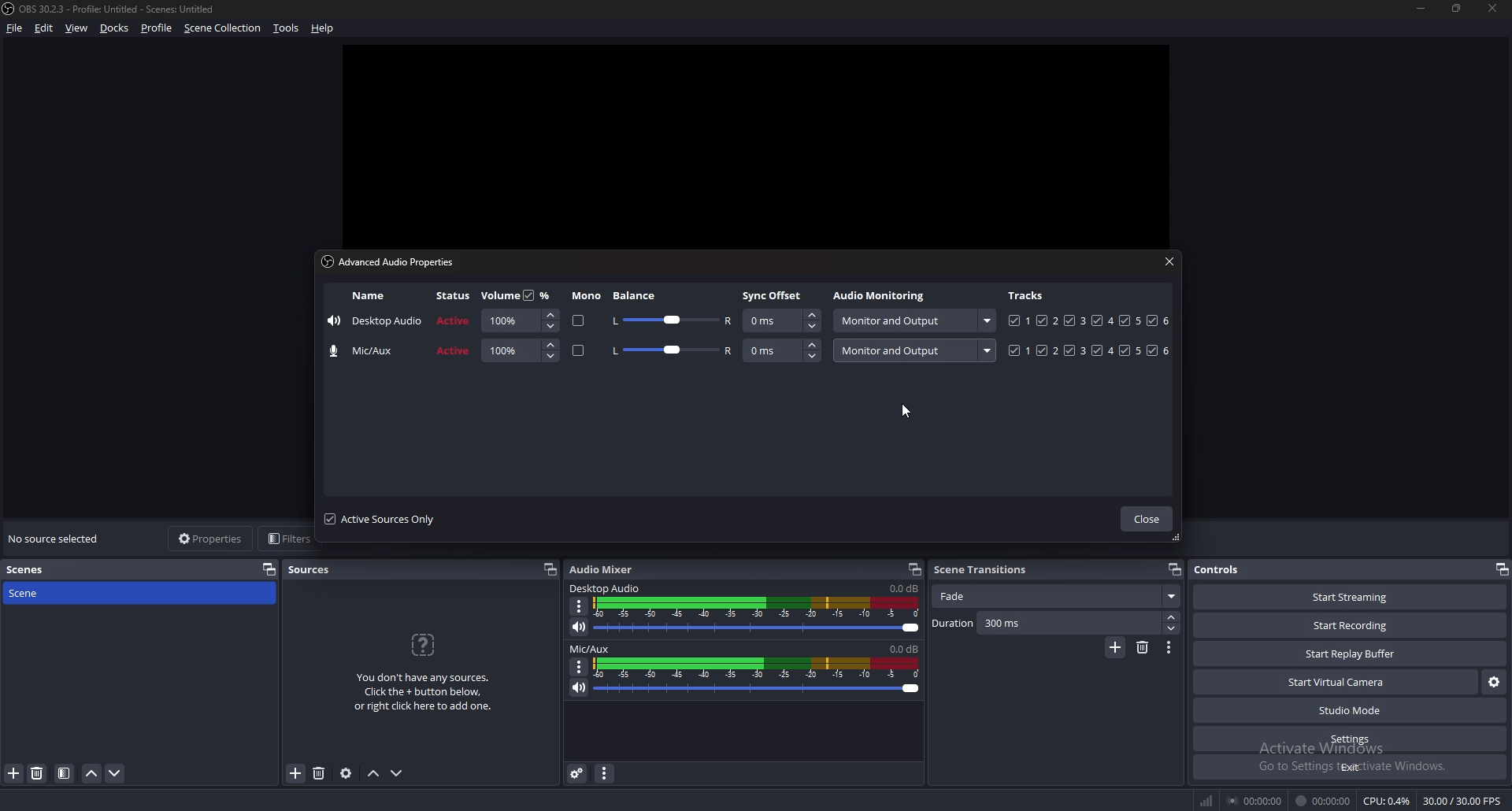 The image size is (1512, 811). What do you see at coordinates (14, 773) in the screenshot?
I see `add filter` at bounding box center [14, 773].